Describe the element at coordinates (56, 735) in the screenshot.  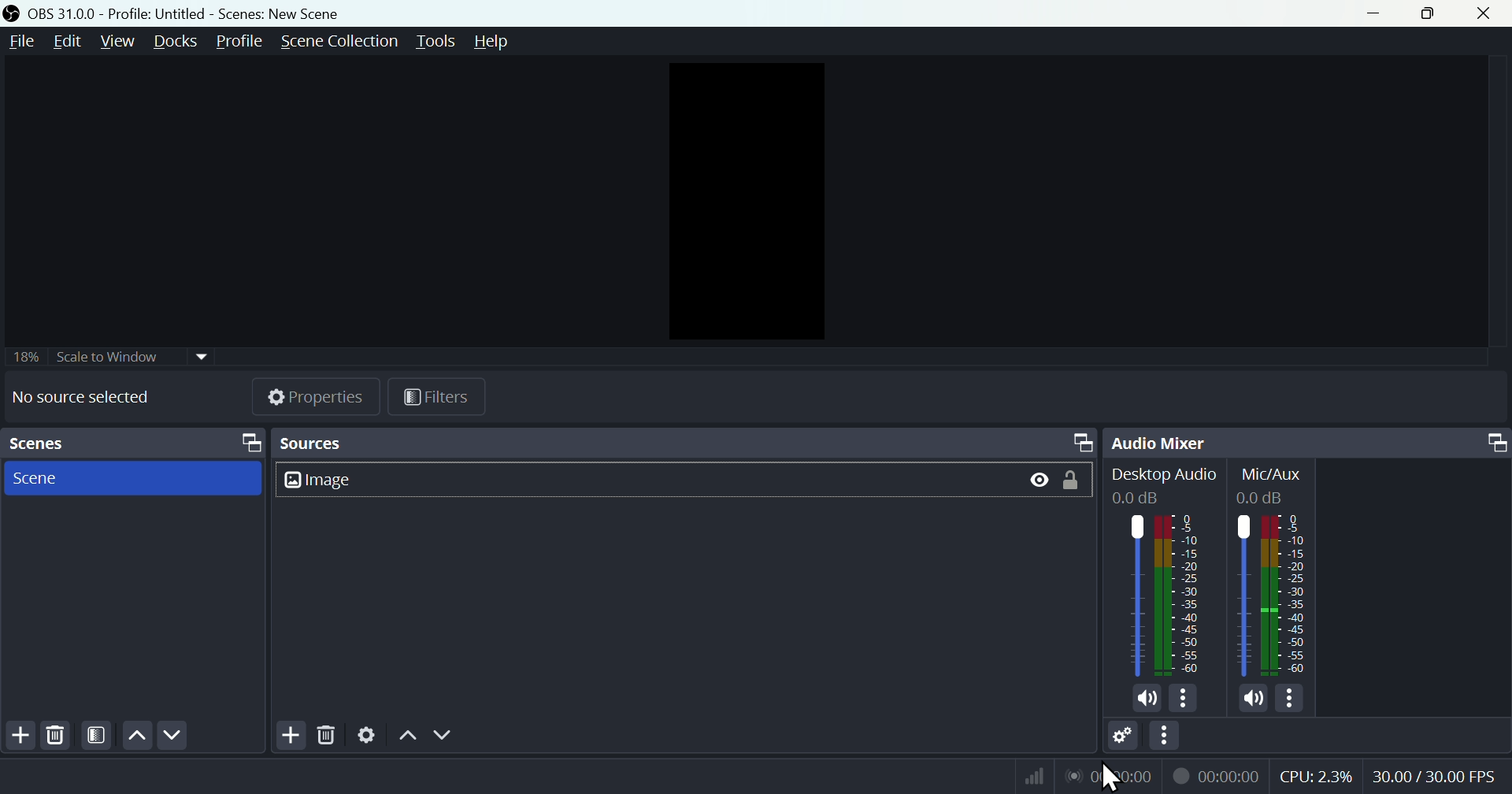
I see `Delete` at that location.